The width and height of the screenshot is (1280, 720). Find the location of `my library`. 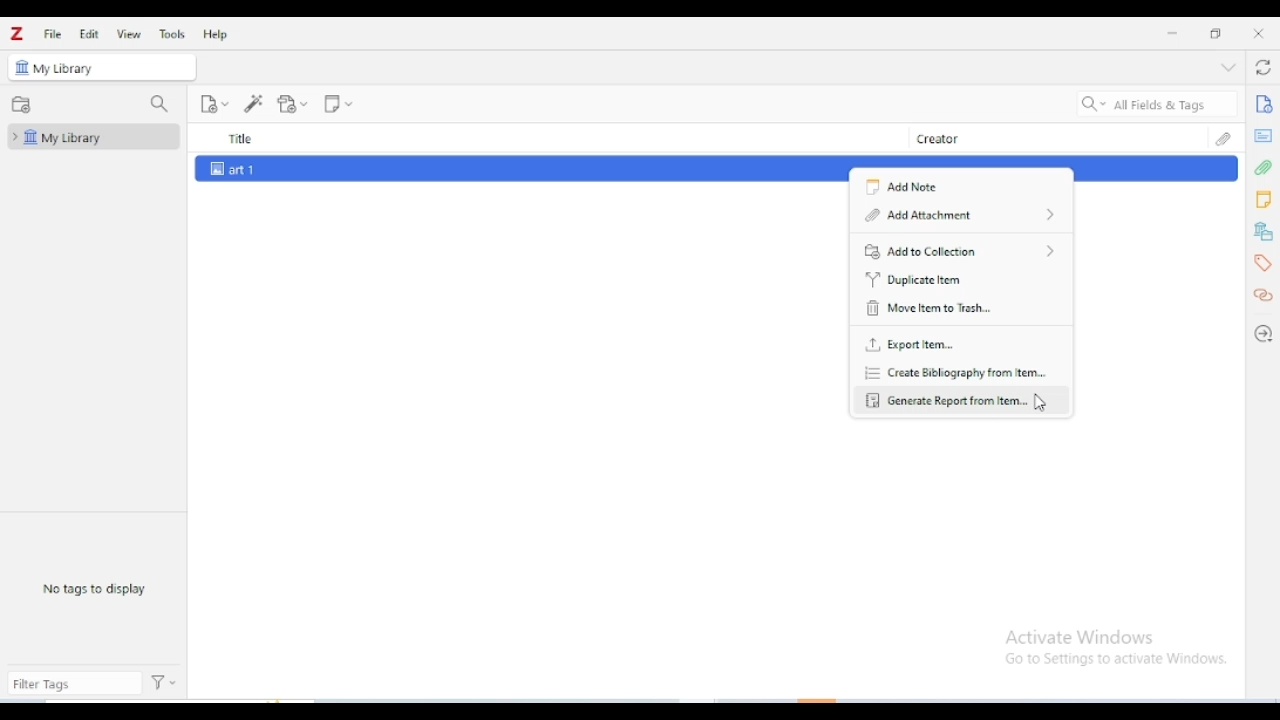

my library is located at coordinates (94, 136).